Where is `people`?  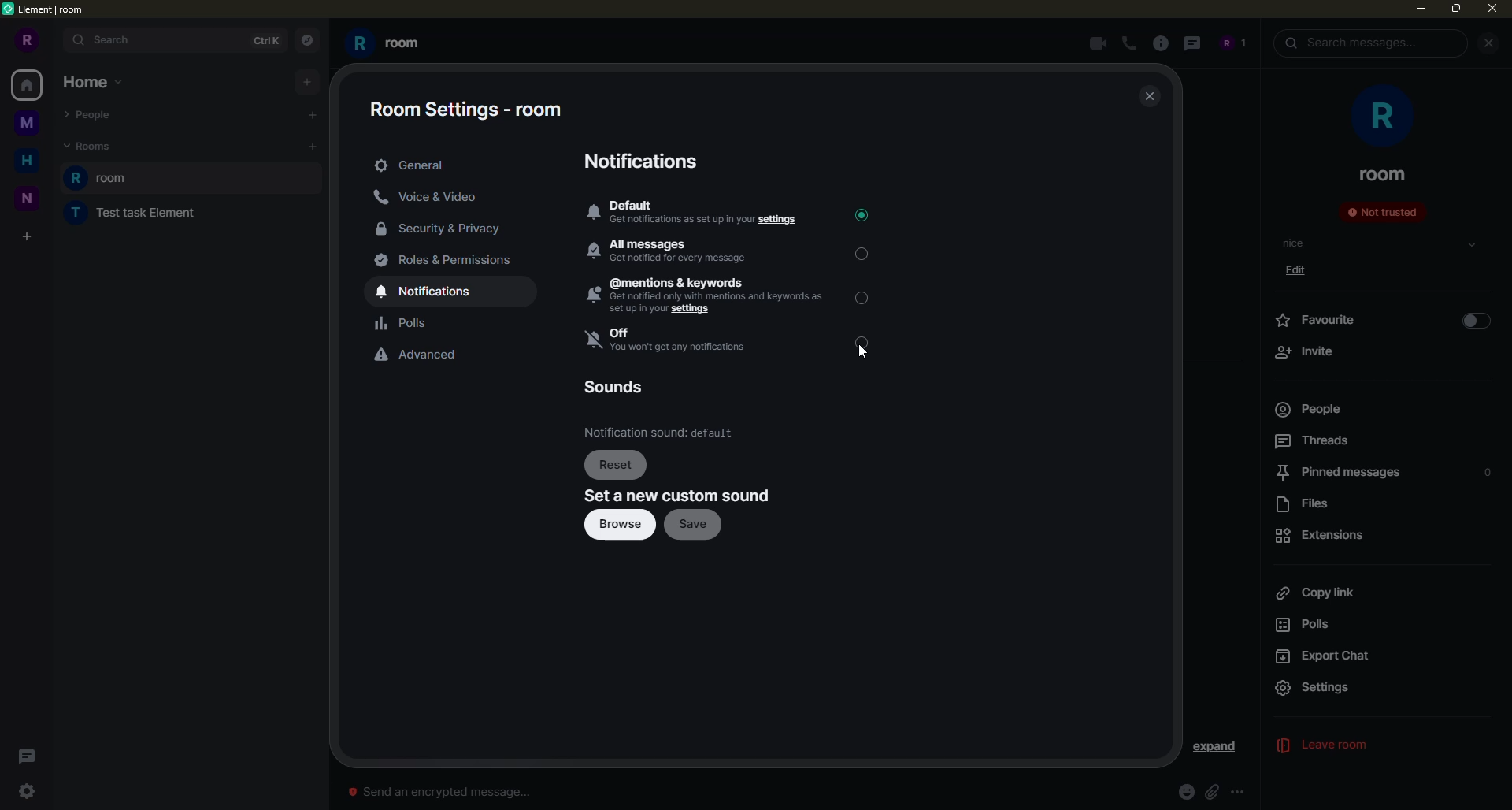
people is located at coordinates (93, 112).